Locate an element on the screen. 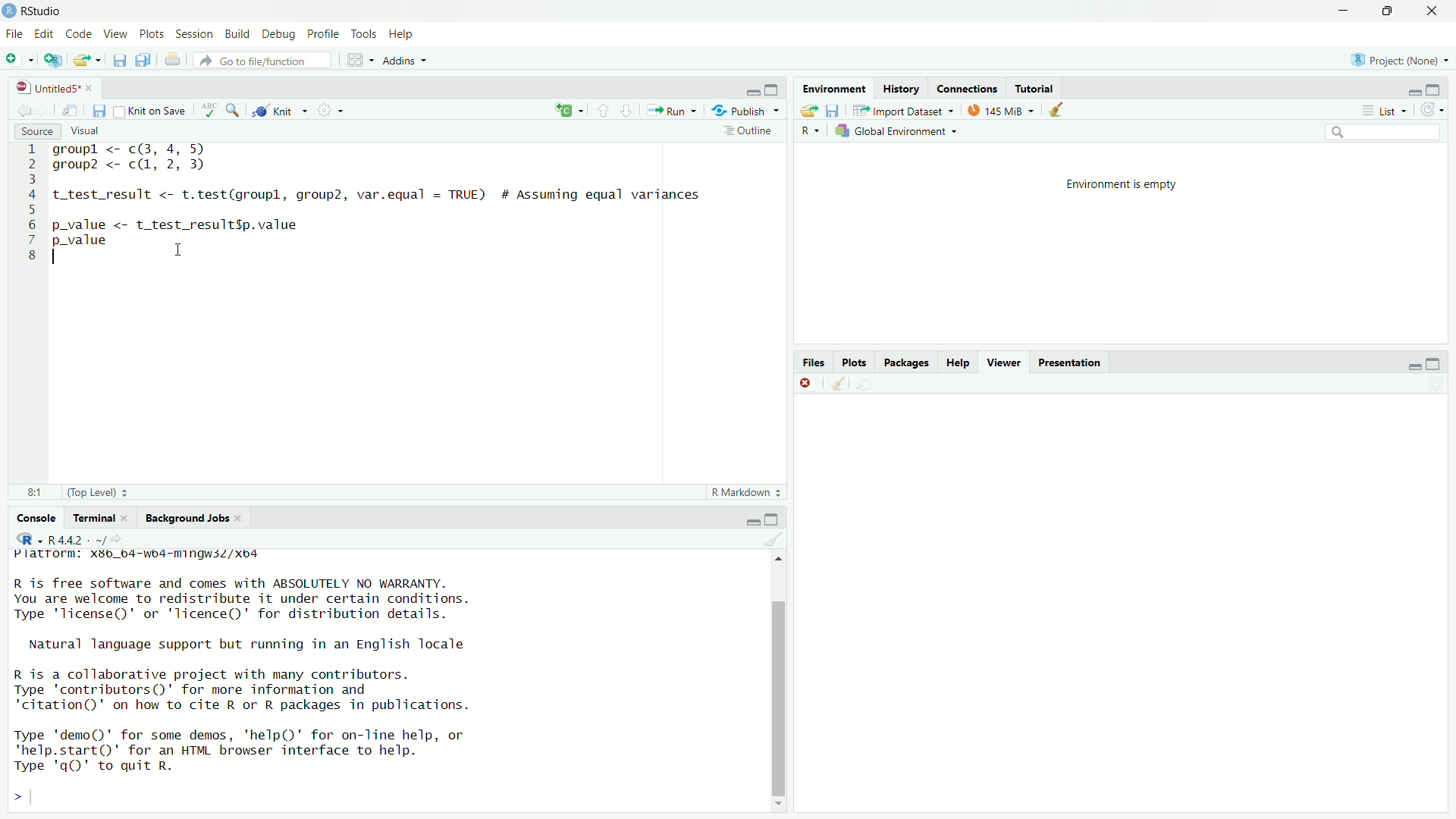 The image size is (1456, 819). view current working is located at coordinates (120, 539).